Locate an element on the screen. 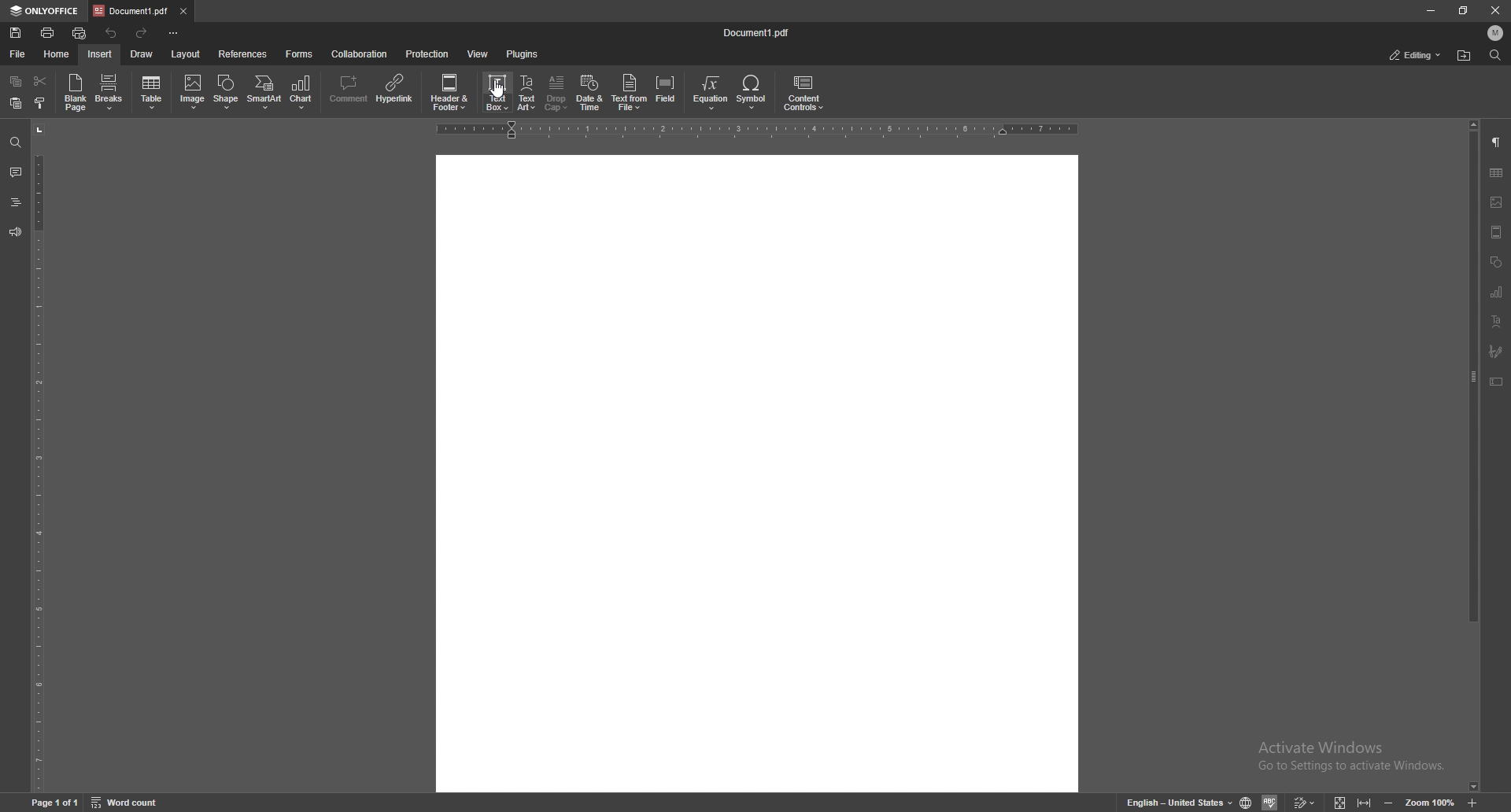 The height and width of the screenshot is (812, 1511). hyperlink is located at coordinates (397, 89).